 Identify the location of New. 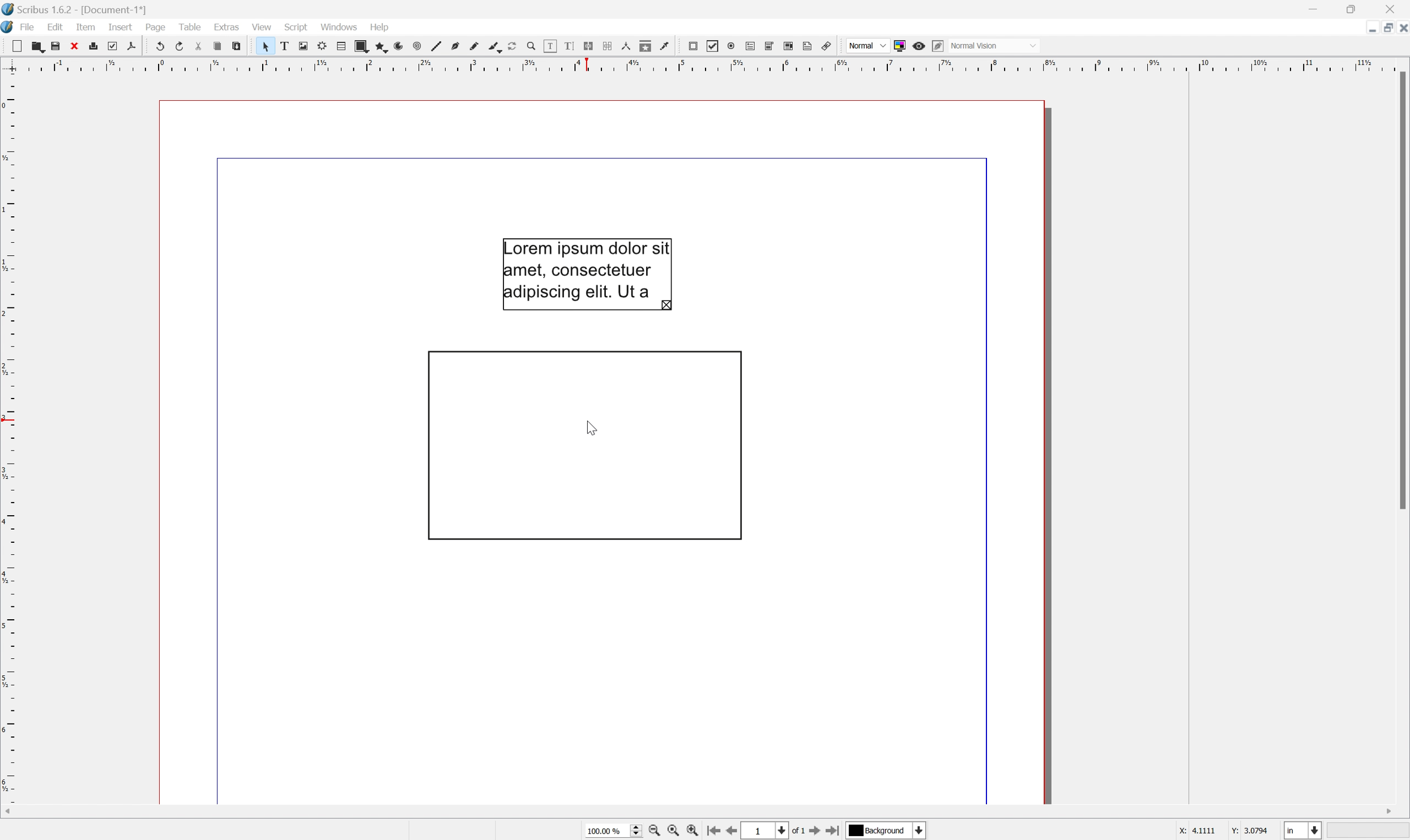
(11, 46).